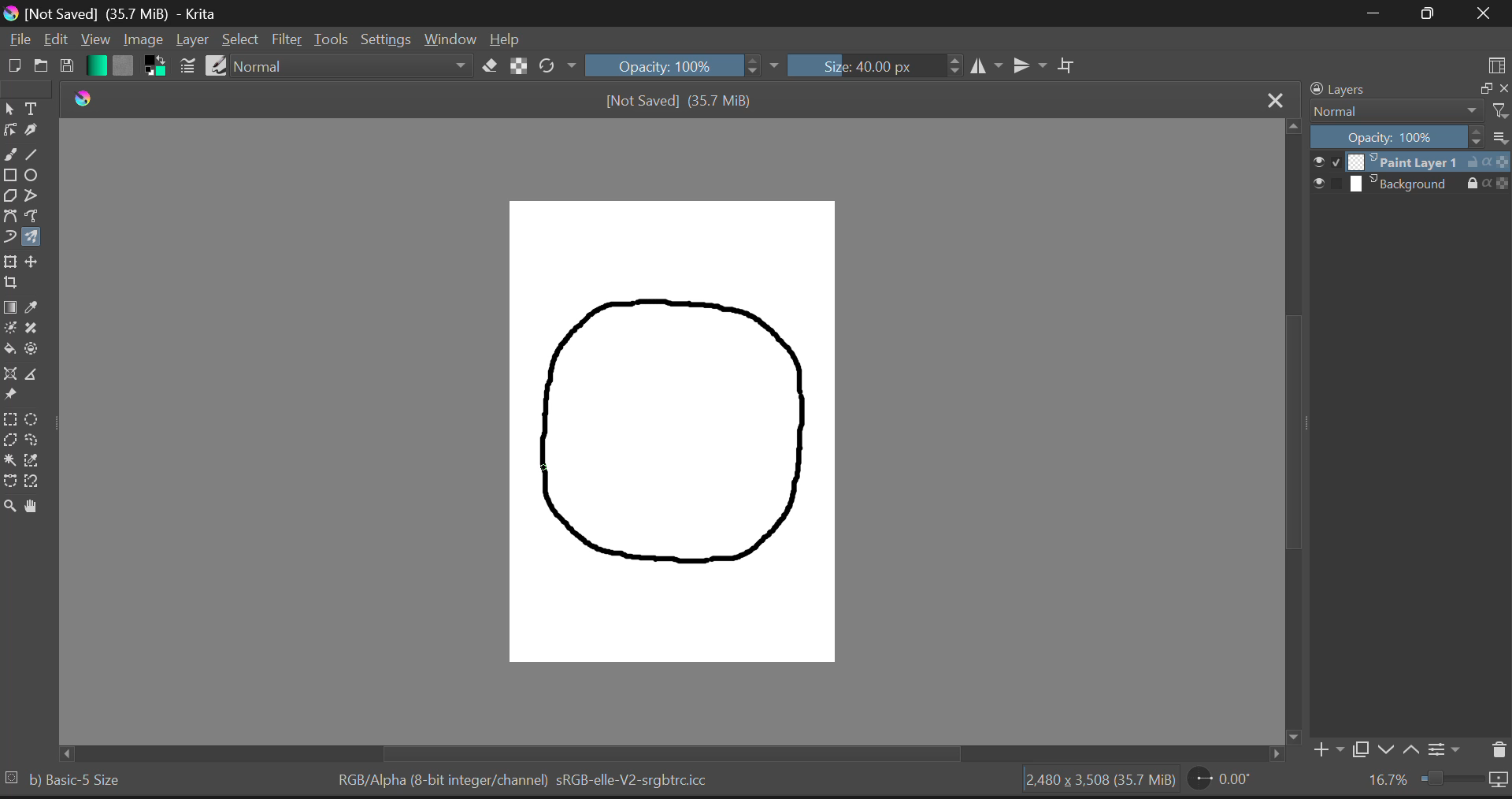 The width and height of the screenshot is (1512, 799). I want to click on Multibrush Tool Selected, so click(35, 236).